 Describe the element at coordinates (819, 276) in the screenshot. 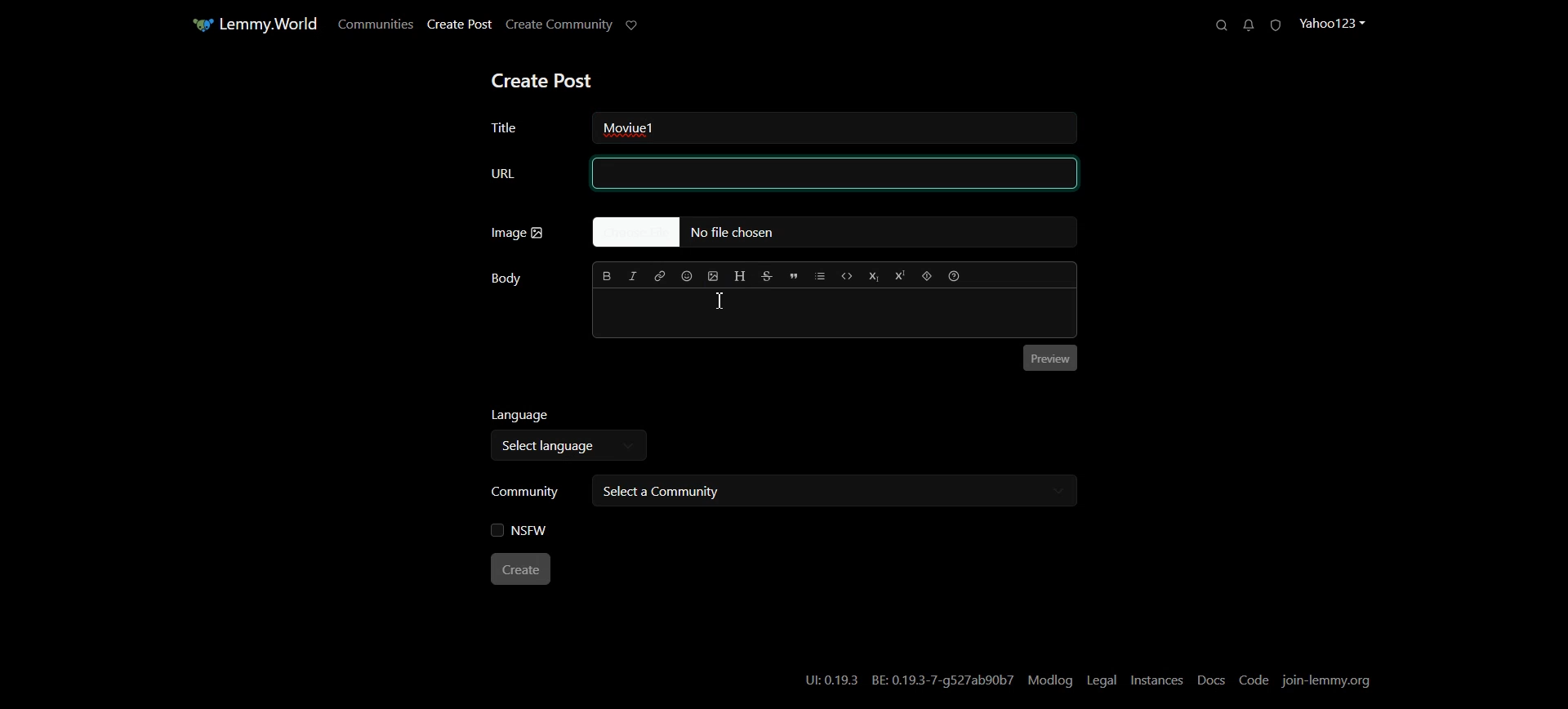

I see `List` at that location.